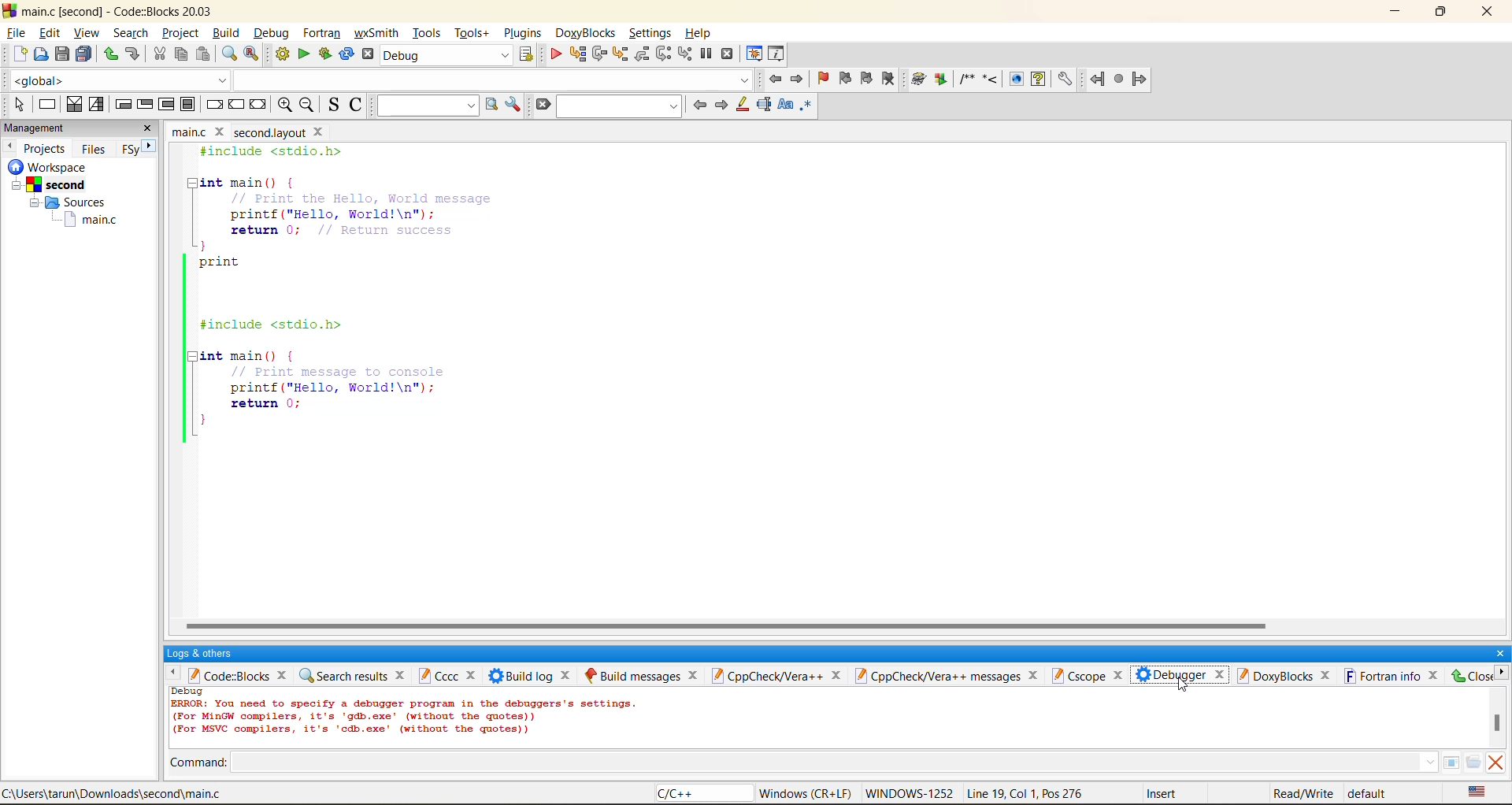 This screenshot has height=805, width=1512. I want to click on vertical scroll bar, so click(1499, 722).